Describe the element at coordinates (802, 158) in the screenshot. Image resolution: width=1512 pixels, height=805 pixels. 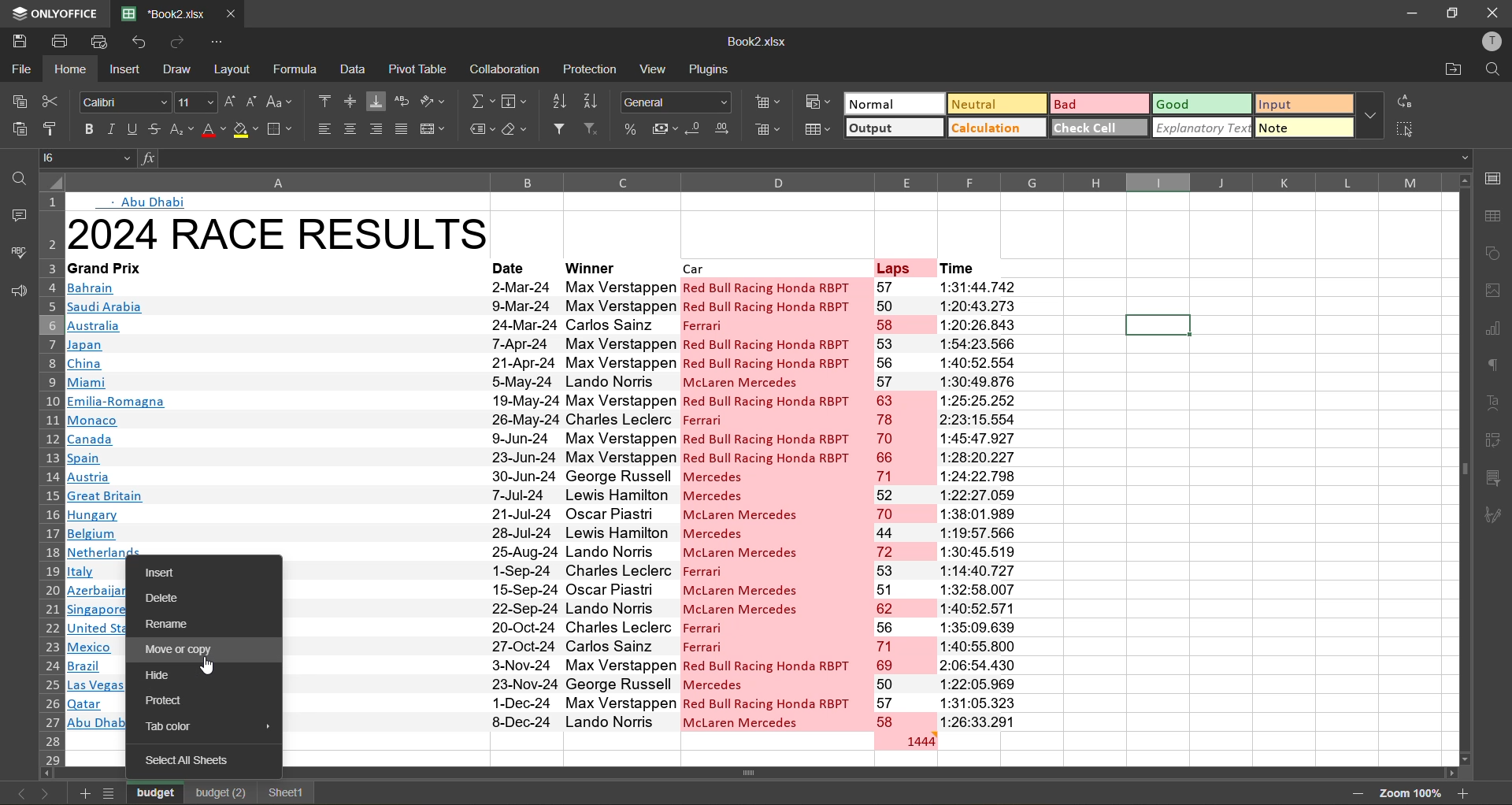
I see `formula bar` at that location.